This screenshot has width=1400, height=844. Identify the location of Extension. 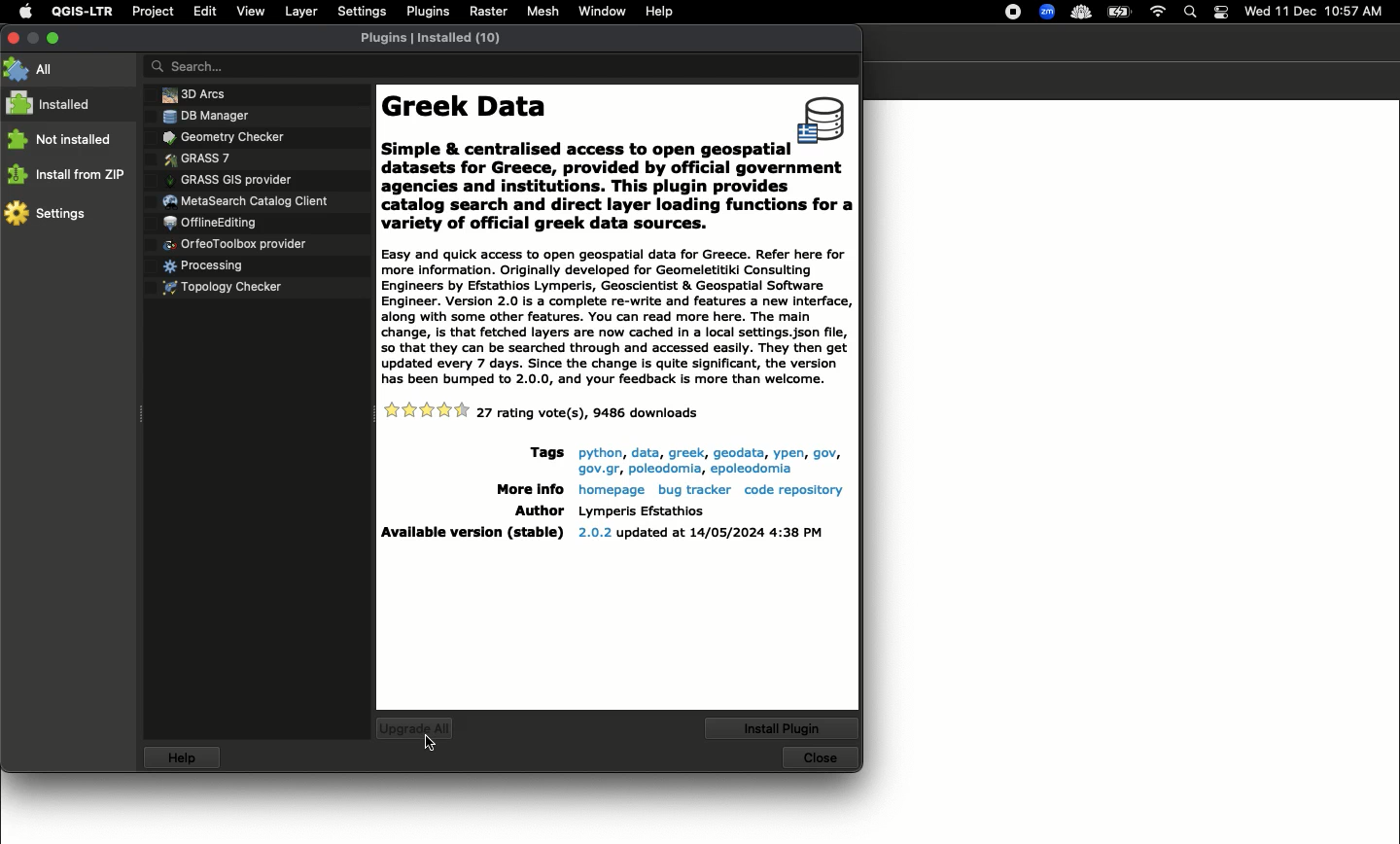
(1083, 14).